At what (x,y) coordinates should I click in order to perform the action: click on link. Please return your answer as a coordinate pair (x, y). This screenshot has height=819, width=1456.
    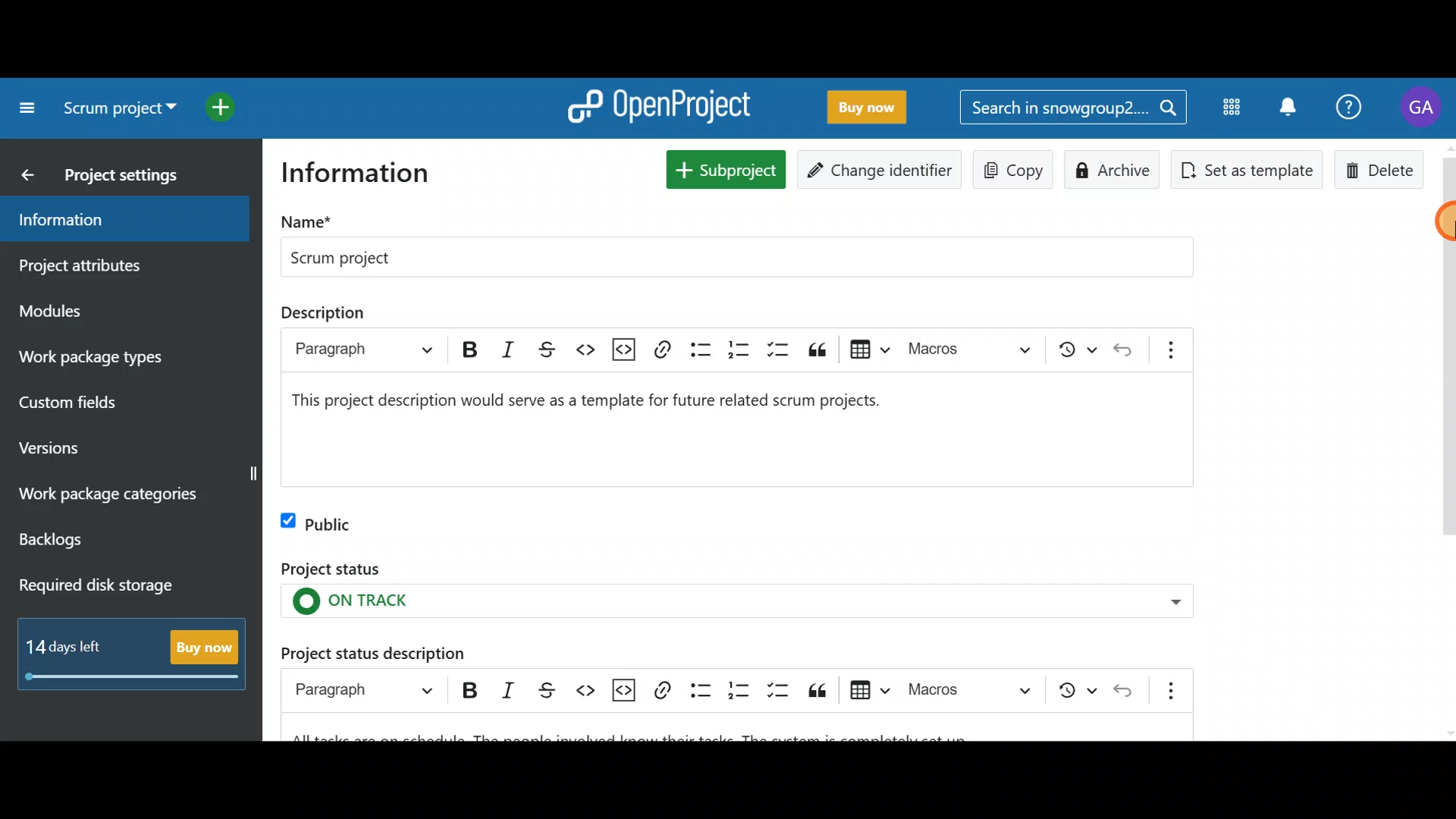
    Looking at the image, I should click on (663, 349).